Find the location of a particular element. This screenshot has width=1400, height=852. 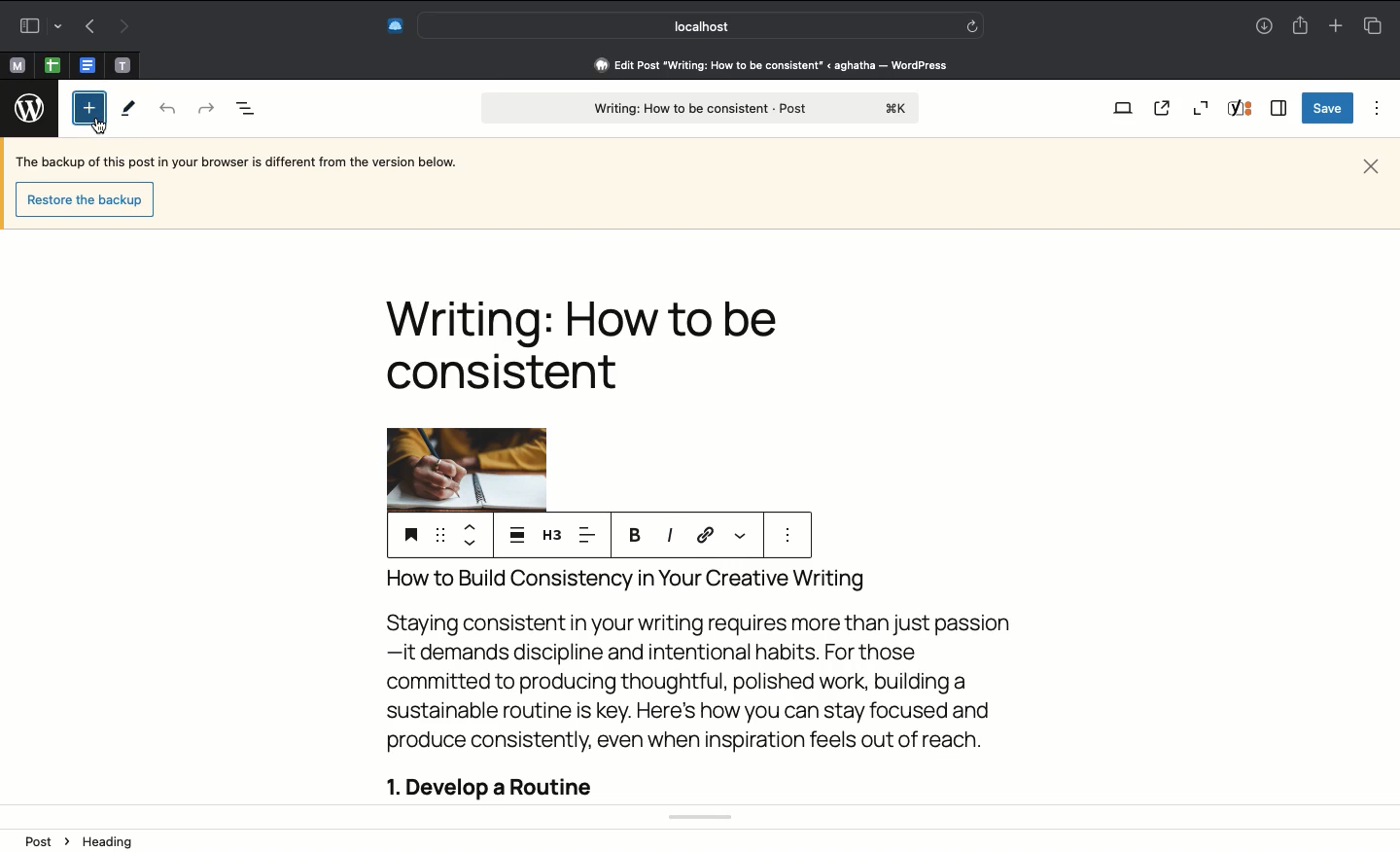

Post is located at coordinates (44, 838).